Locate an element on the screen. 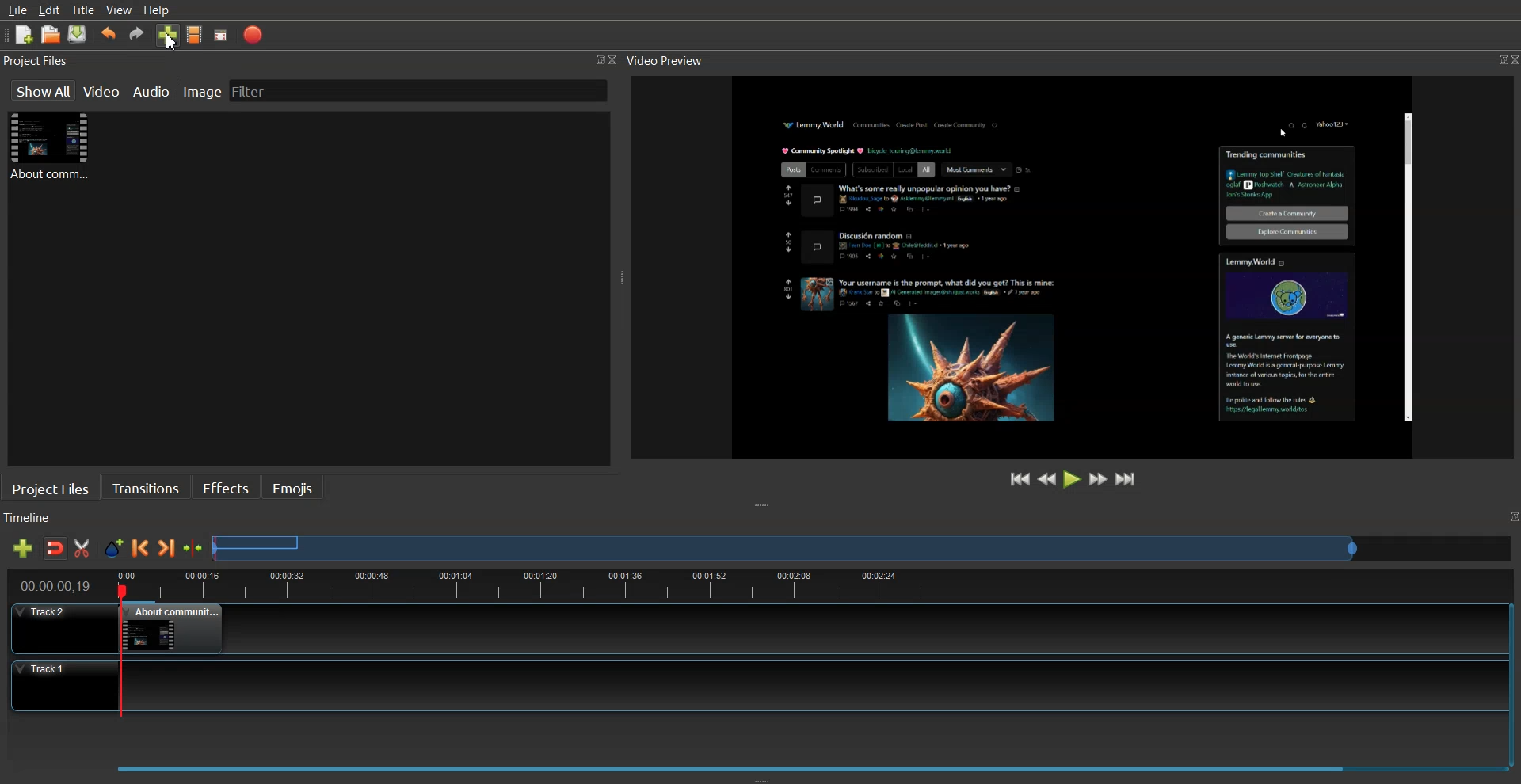 The height and width of the screenshot is (784, 1521). Video Preview is located at coordinates (673, 61).